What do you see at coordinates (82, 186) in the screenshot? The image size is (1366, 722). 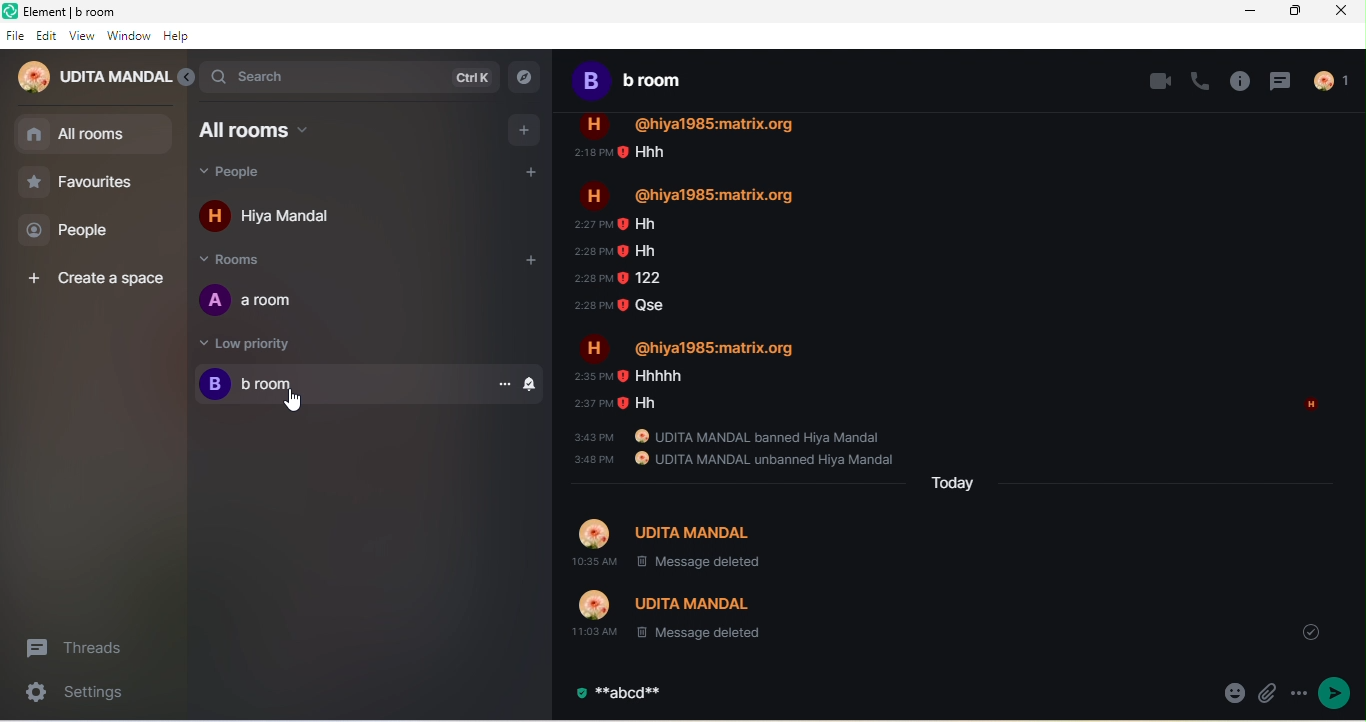 I see `favourites` at bounding box center [82, 186].